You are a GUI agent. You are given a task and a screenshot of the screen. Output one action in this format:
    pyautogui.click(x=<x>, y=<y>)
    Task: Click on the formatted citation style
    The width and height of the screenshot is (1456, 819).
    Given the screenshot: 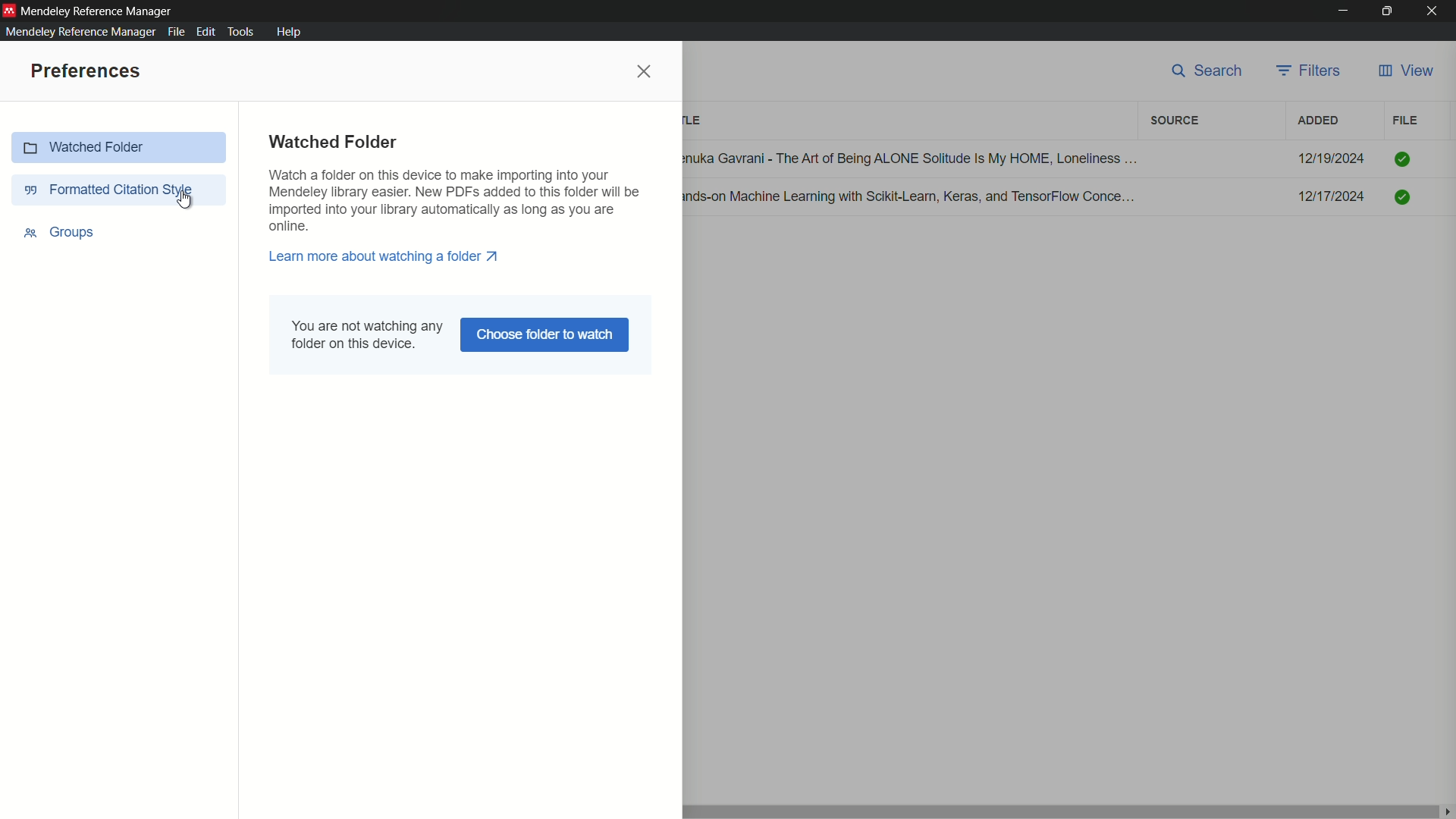 What is the action you would take?
    pyautogui.click(x=108, y=188)
    